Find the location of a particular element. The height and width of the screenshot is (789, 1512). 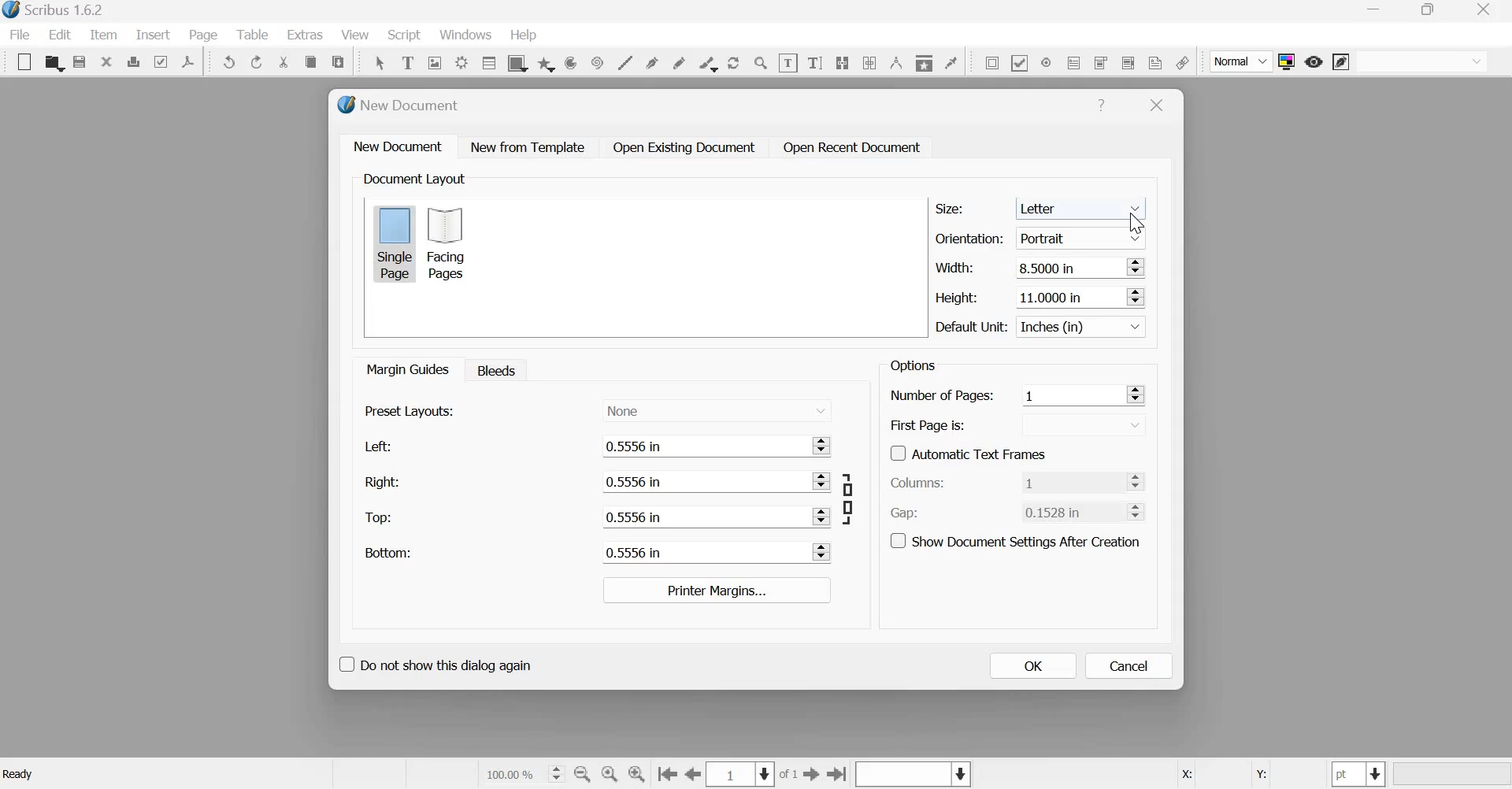

Increase and Decrease is located at coordinates (1135, 266).